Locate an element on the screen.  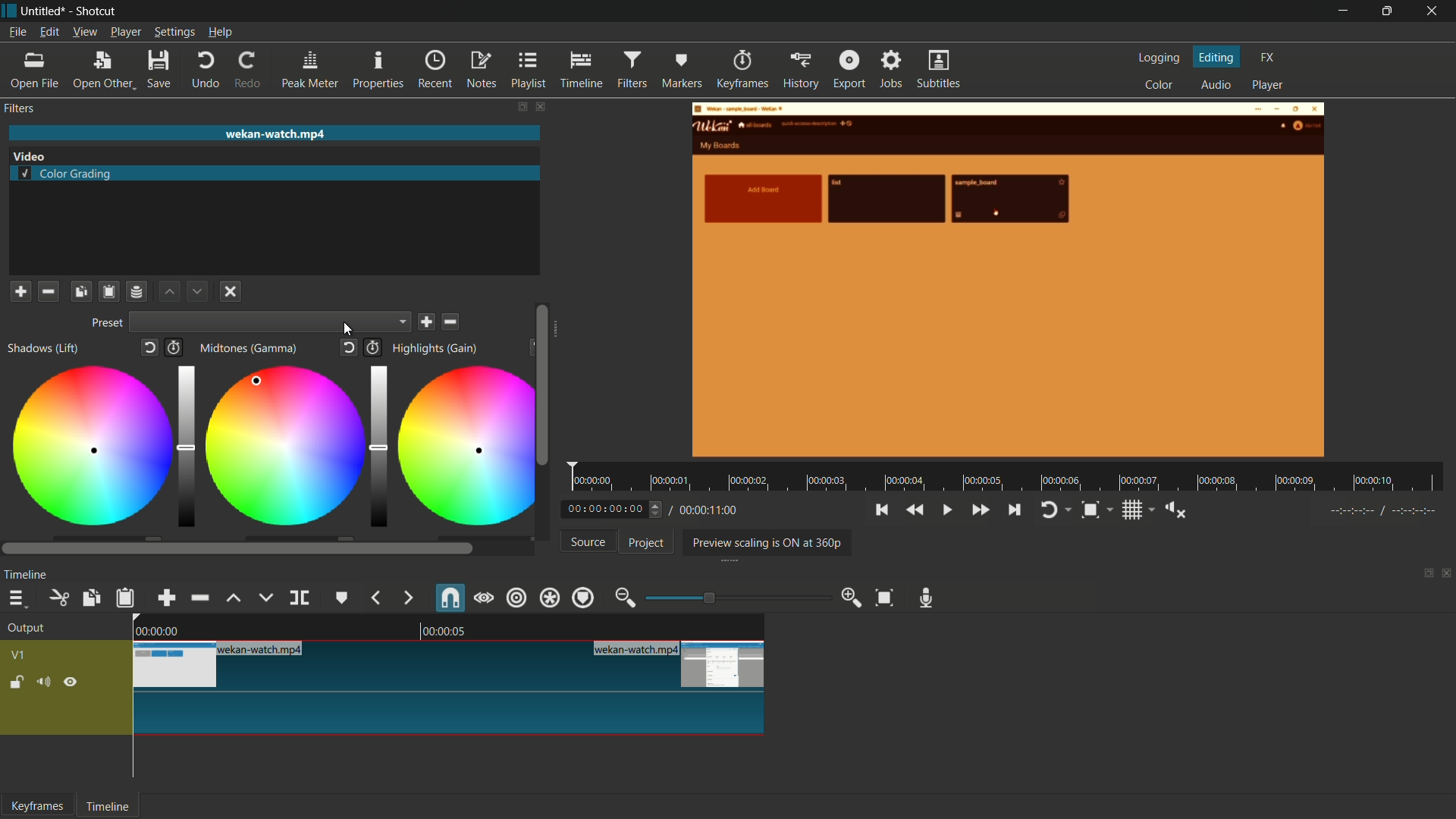
editing is located at coordinates (1217, 57).